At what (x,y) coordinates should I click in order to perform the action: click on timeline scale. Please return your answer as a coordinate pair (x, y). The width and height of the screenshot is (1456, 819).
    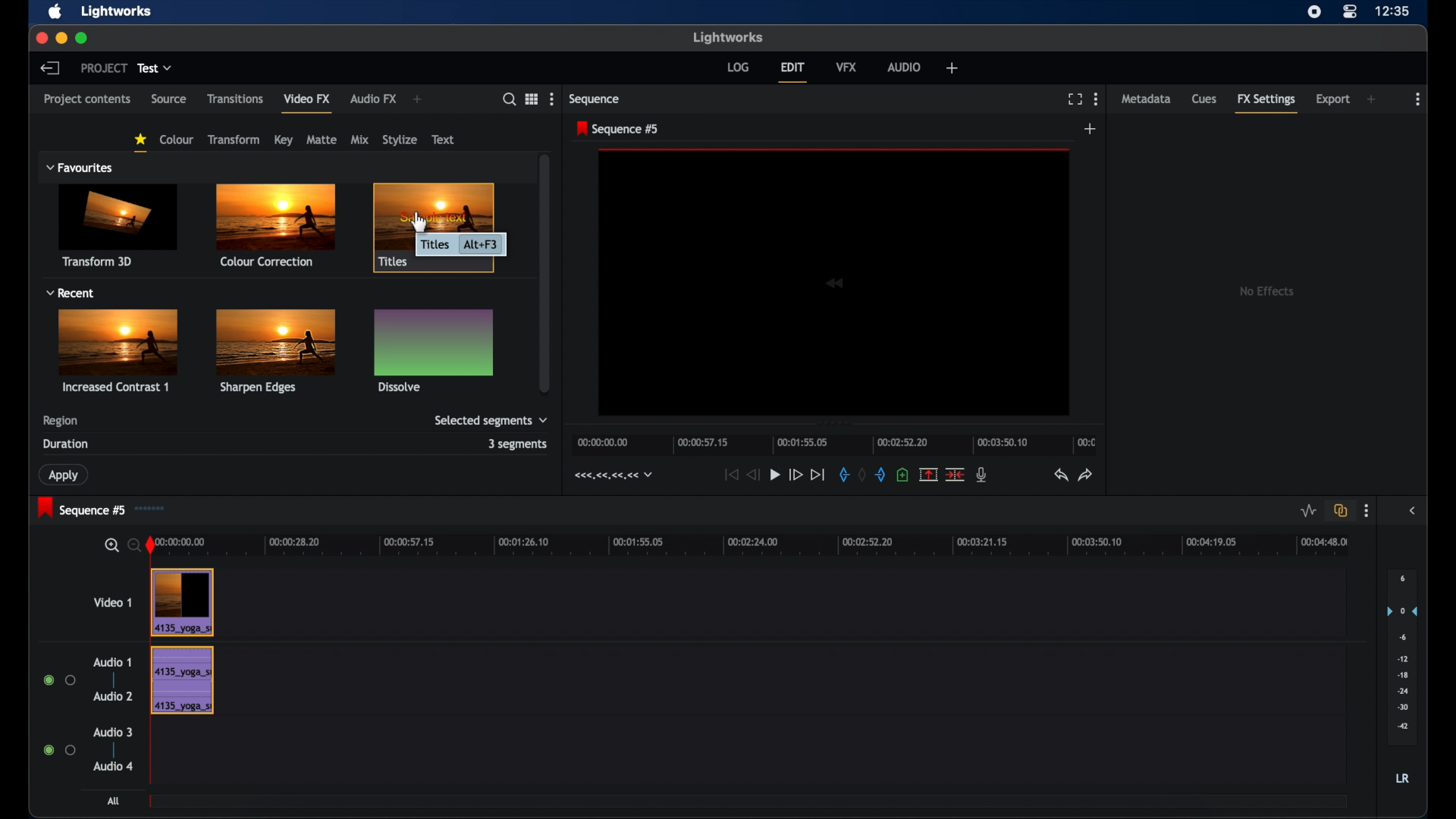
    Looking at the image, I should click on (834, 444).